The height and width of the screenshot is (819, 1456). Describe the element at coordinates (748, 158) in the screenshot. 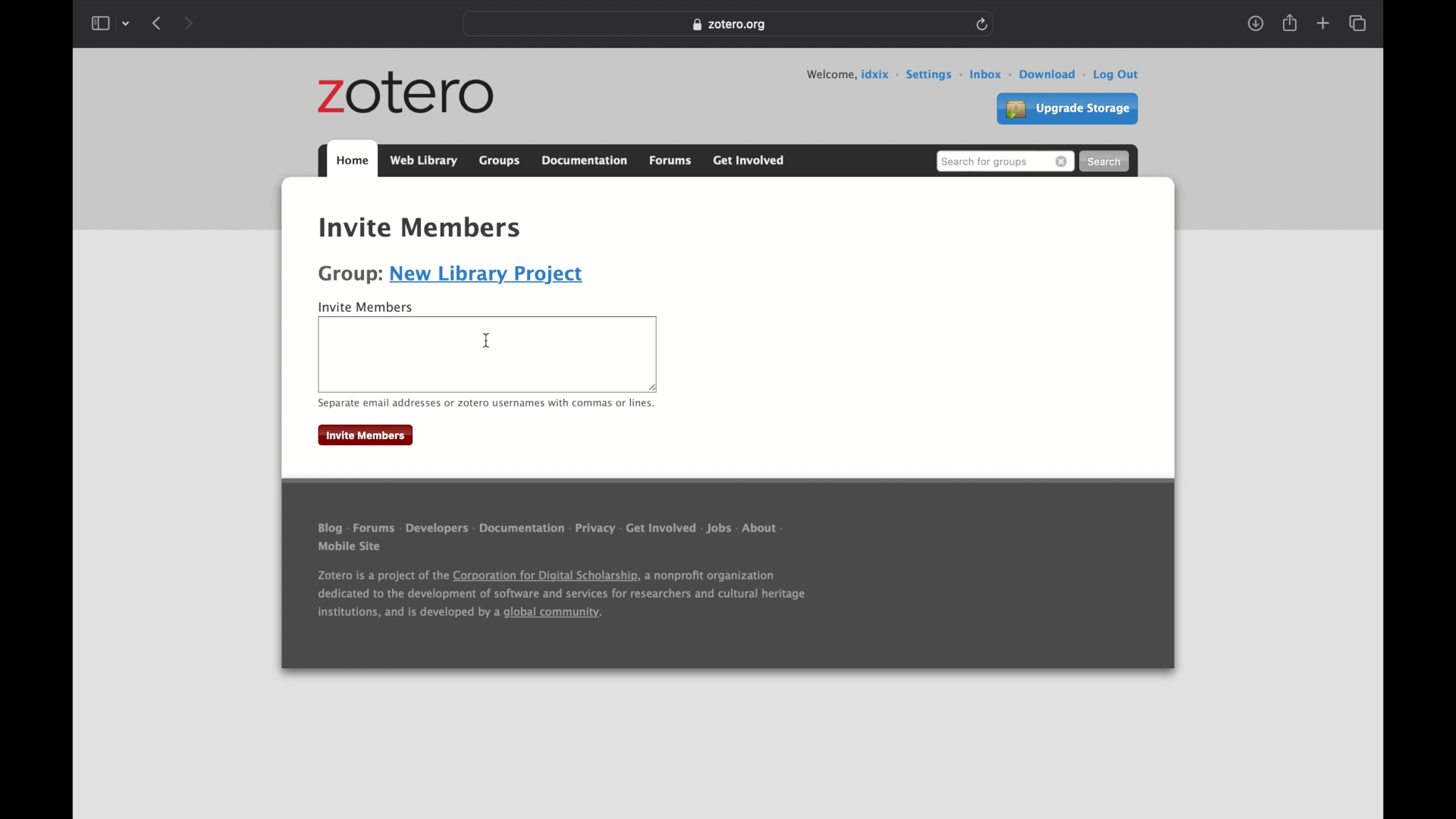

I see `get involved` at that location.